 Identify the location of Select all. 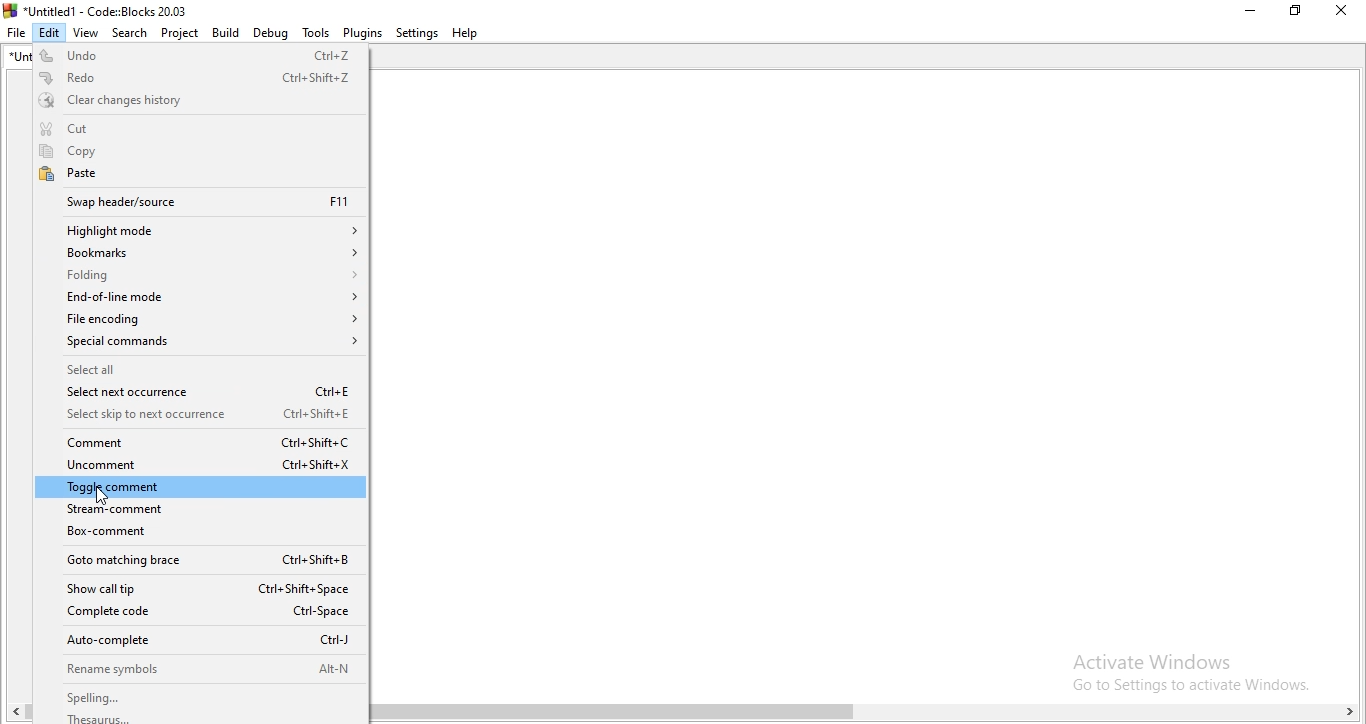
(198, 367).